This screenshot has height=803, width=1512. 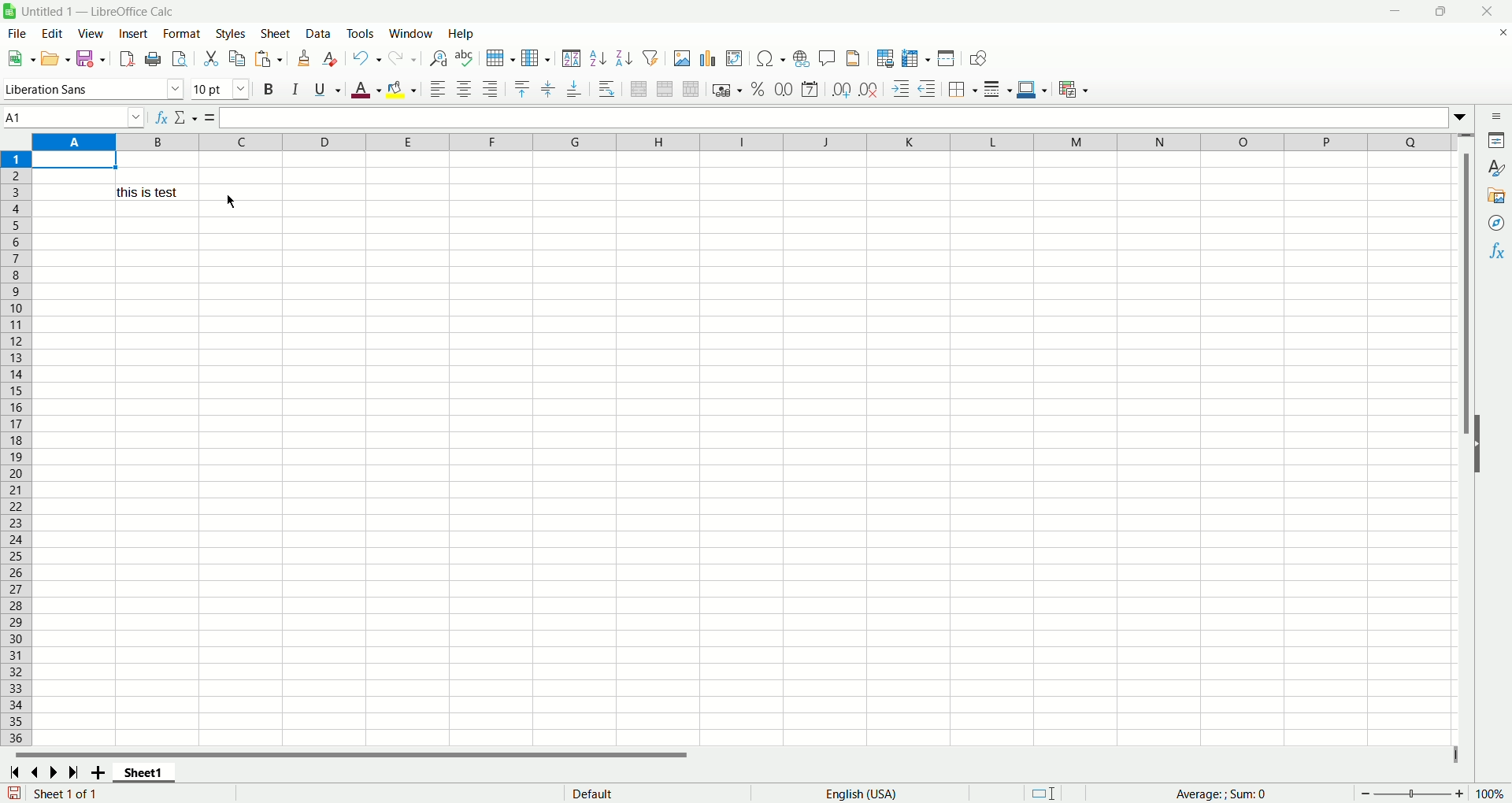 I want to click on align right, so click(x=490, y=89).